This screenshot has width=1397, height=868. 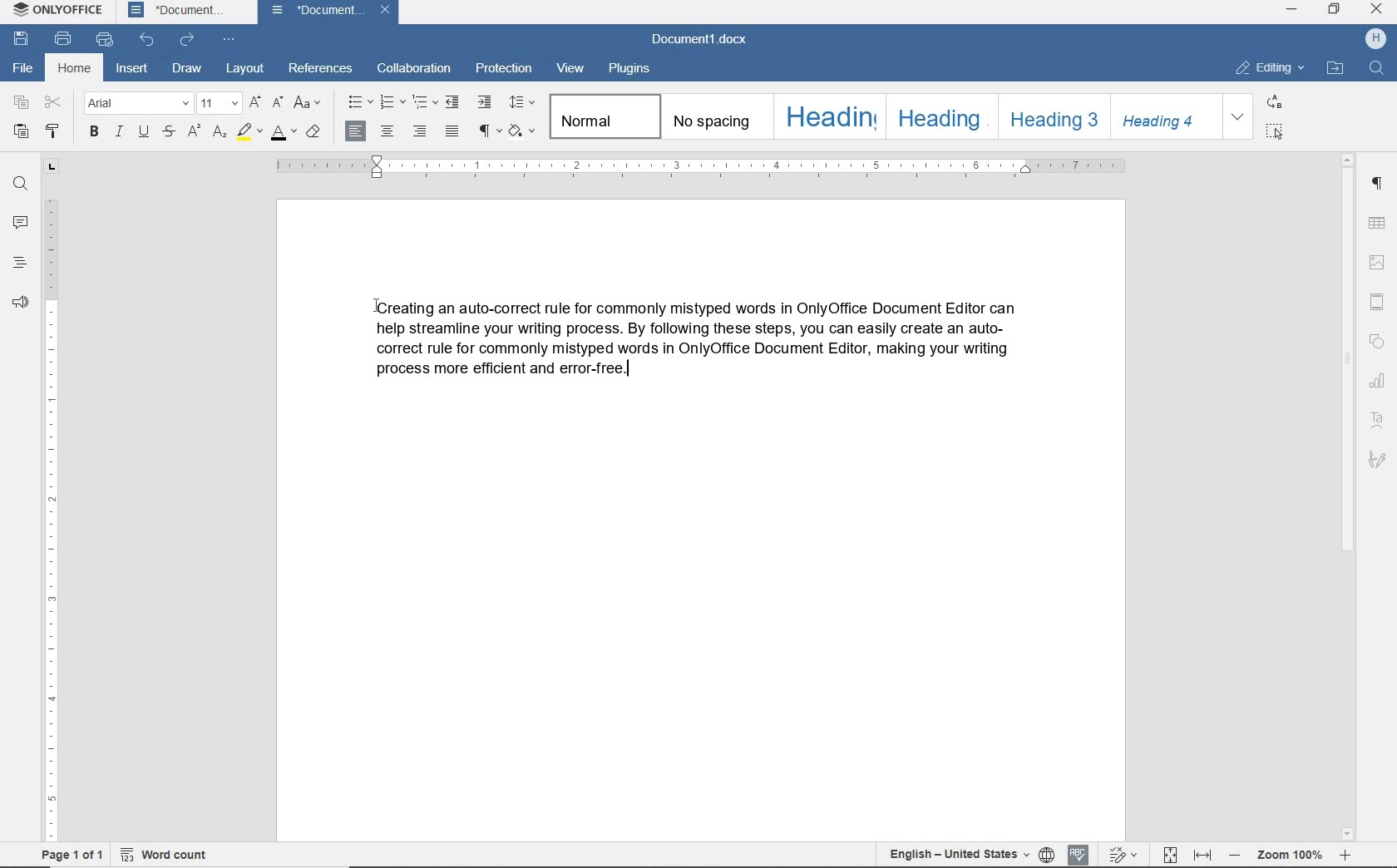 What do you see at coordinates (705, 166) in the screenshot?
I see `ruler` at bounding box center [705, 166].